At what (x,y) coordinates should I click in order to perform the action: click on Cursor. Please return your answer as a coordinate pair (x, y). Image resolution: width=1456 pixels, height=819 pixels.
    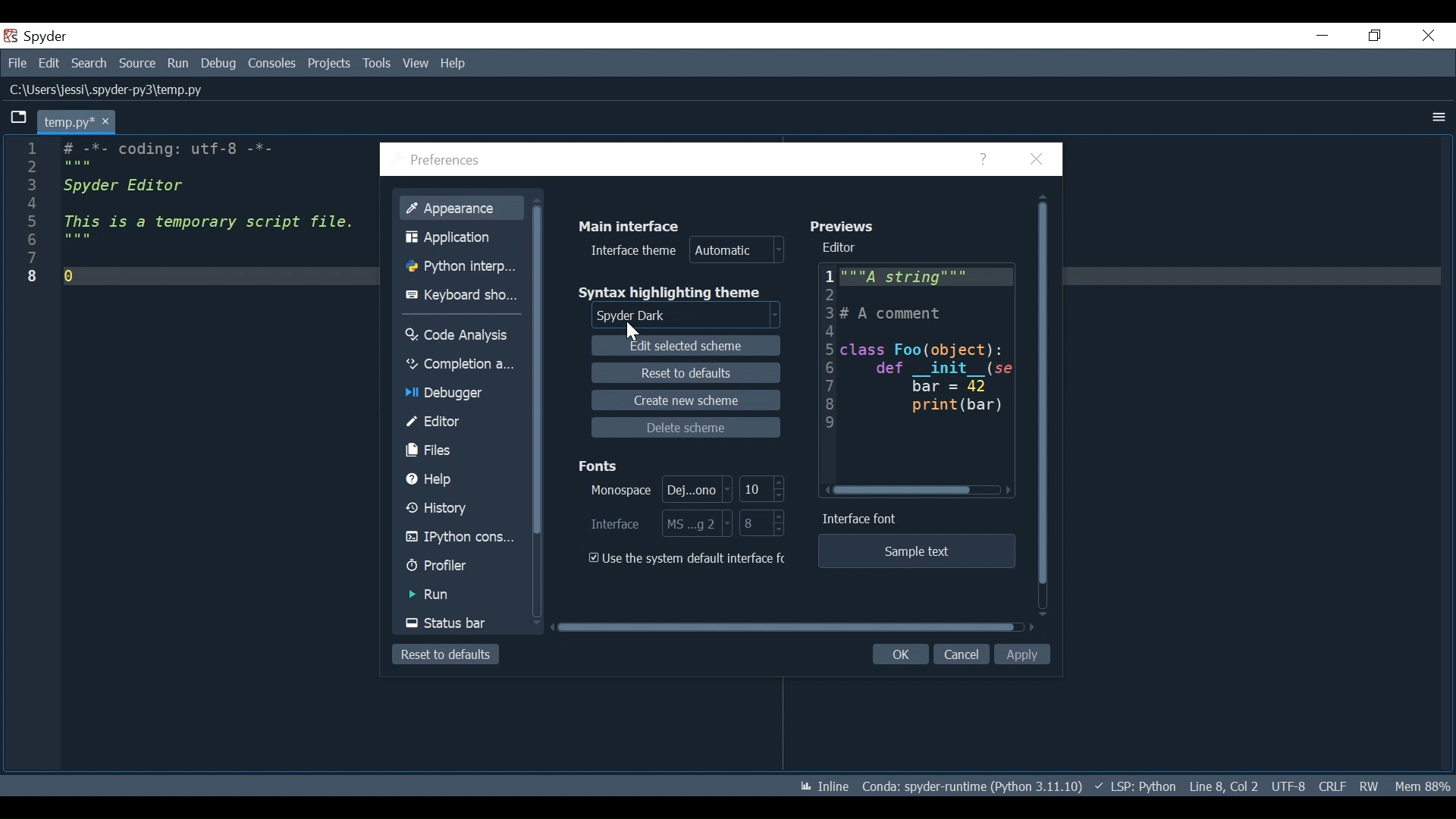
    Looking at the image, I should click on (633, 330).